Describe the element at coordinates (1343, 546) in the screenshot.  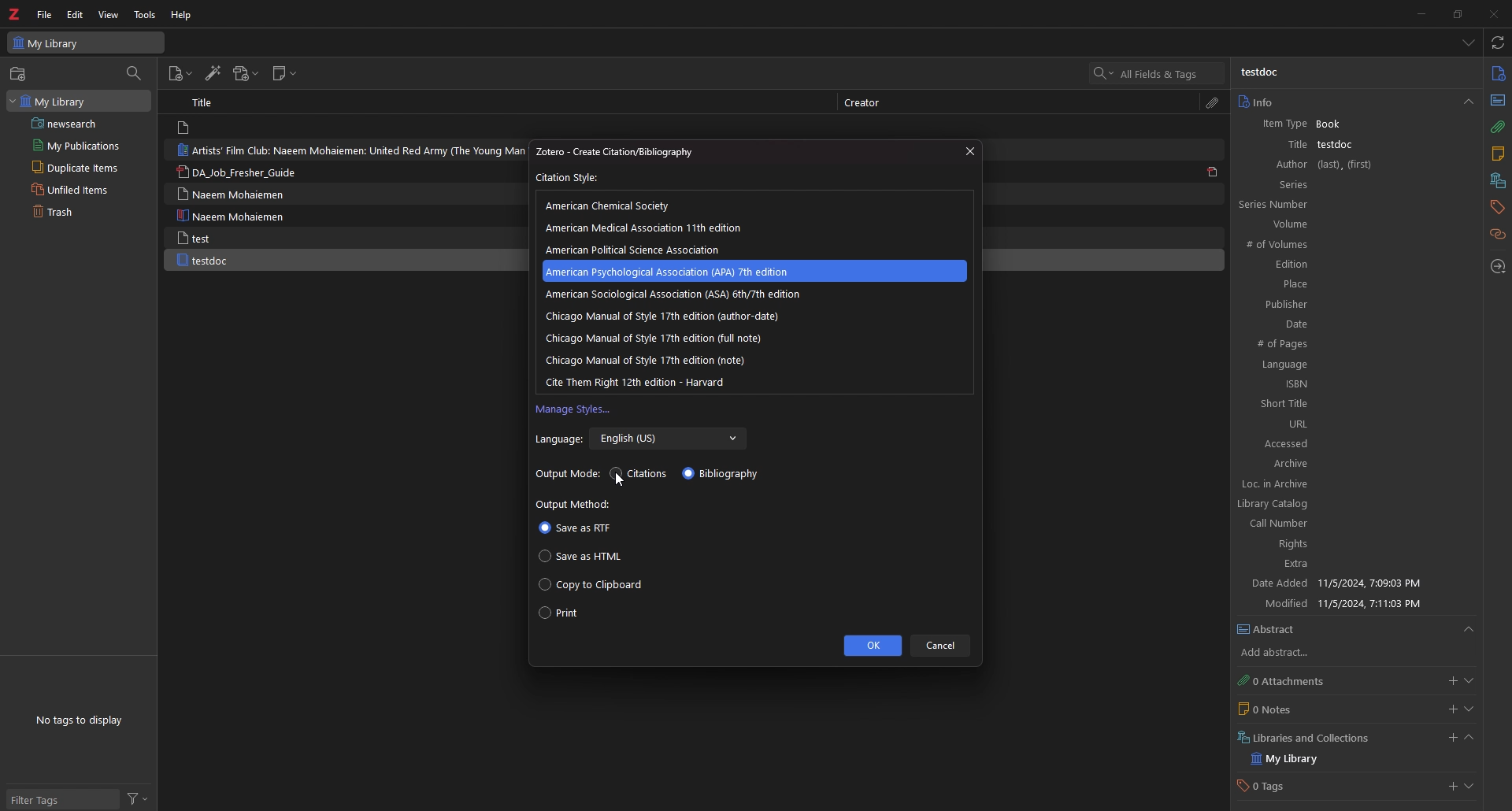
I see `Rights` at that location.